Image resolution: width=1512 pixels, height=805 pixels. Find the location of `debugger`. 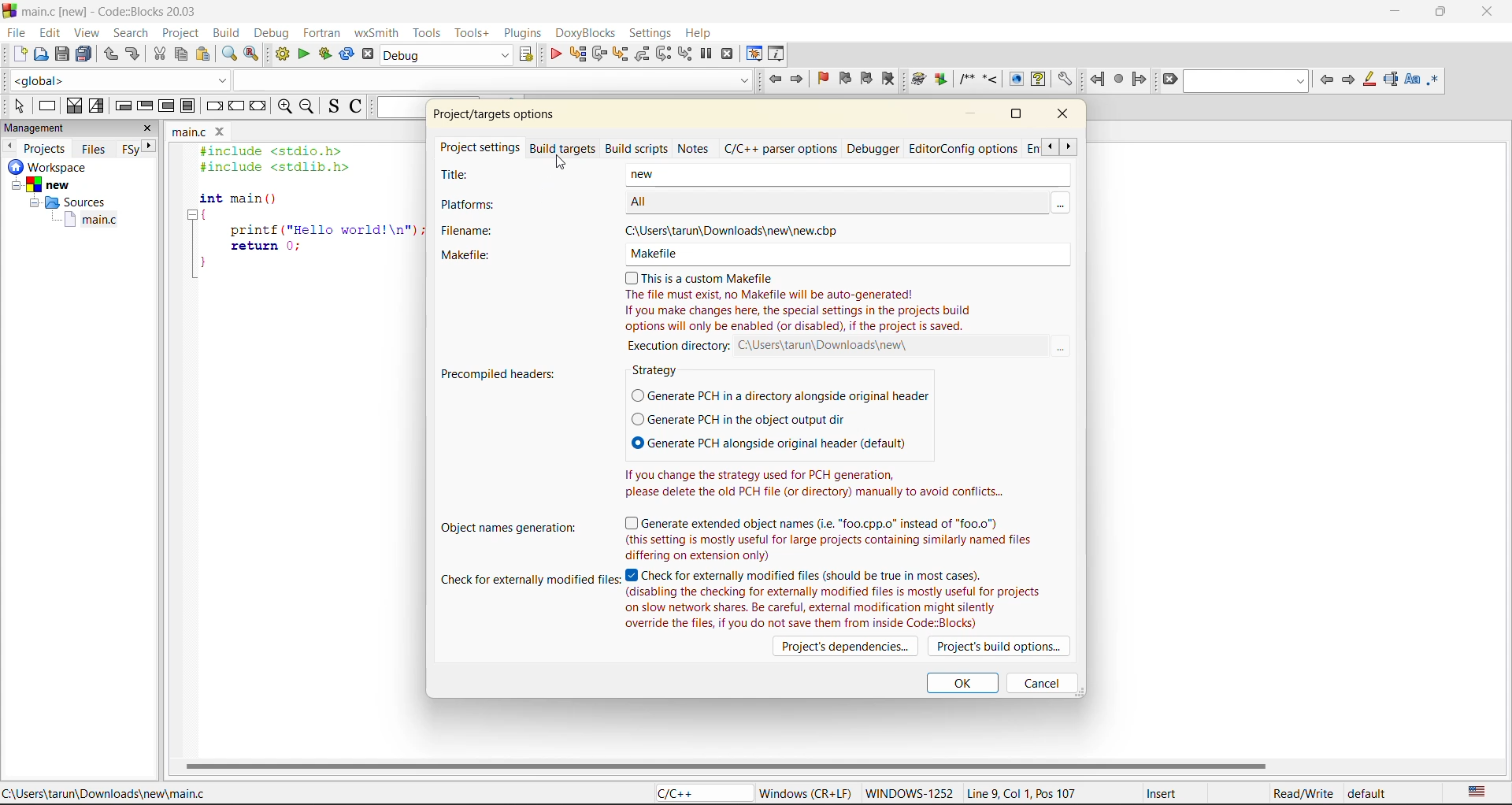

debugger is located at coordinates (876, 150).